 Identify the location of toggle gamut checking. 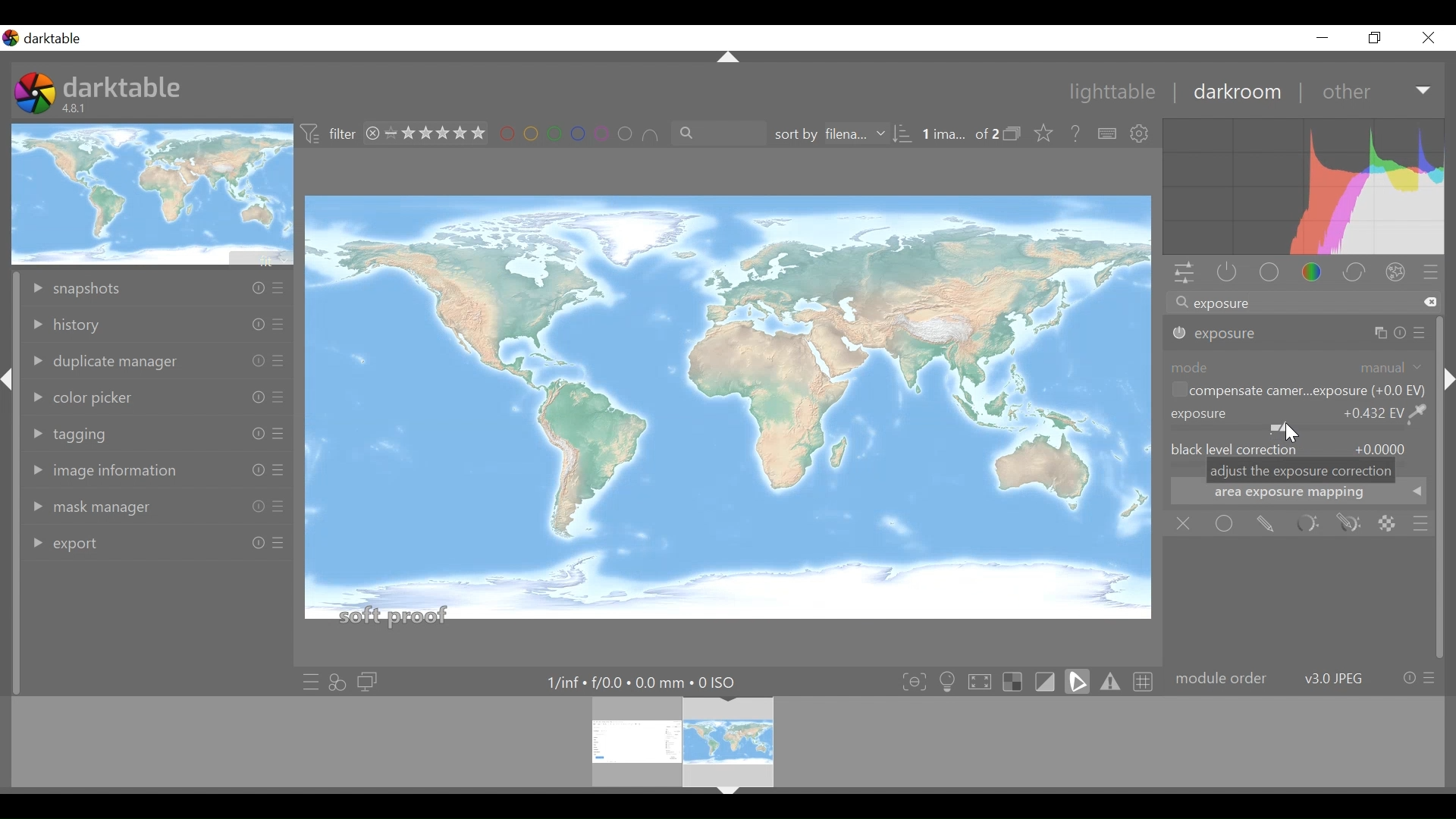
(1111, 681).